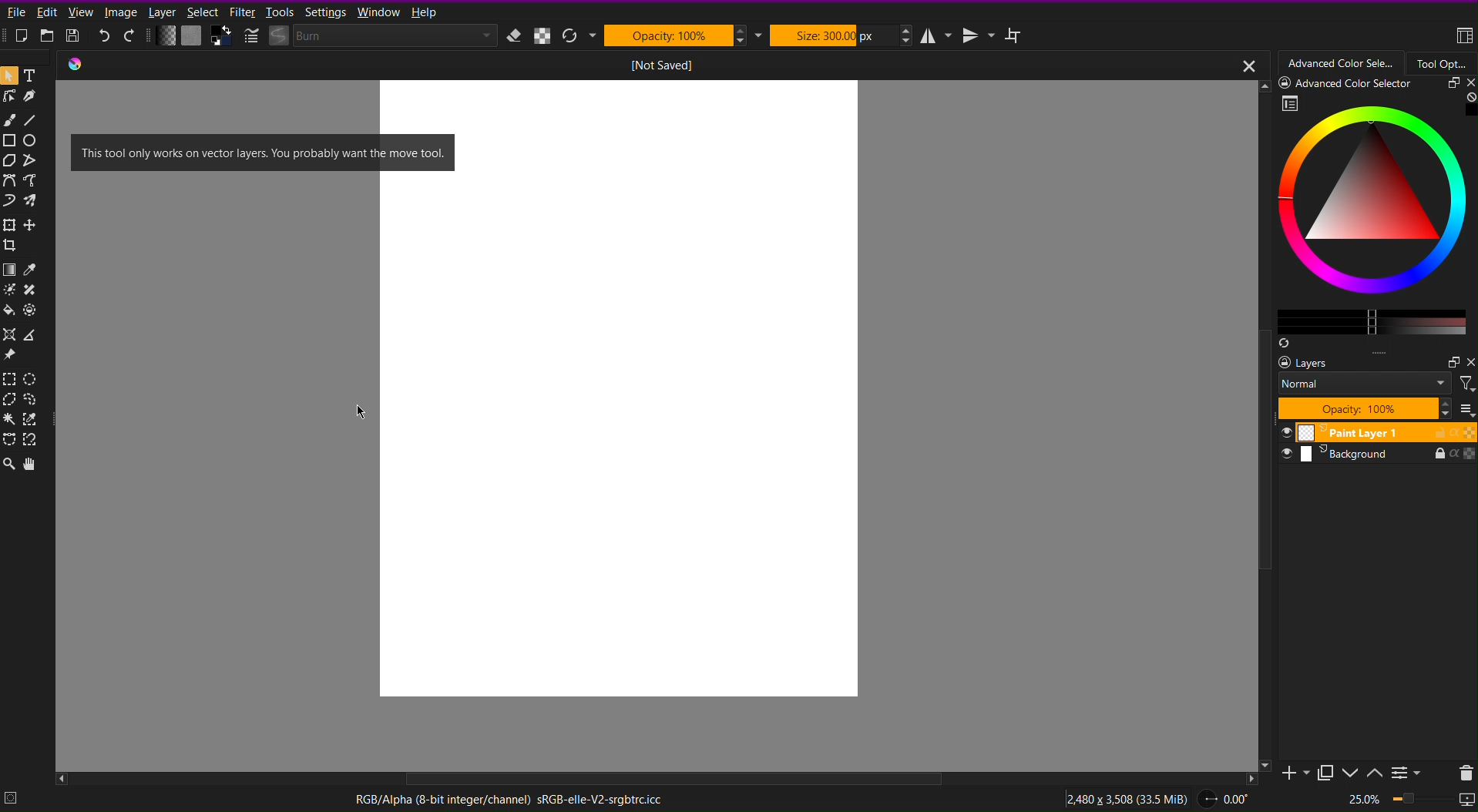 The image size is (1478, 812). I want to click on Select, so click(203, 12).